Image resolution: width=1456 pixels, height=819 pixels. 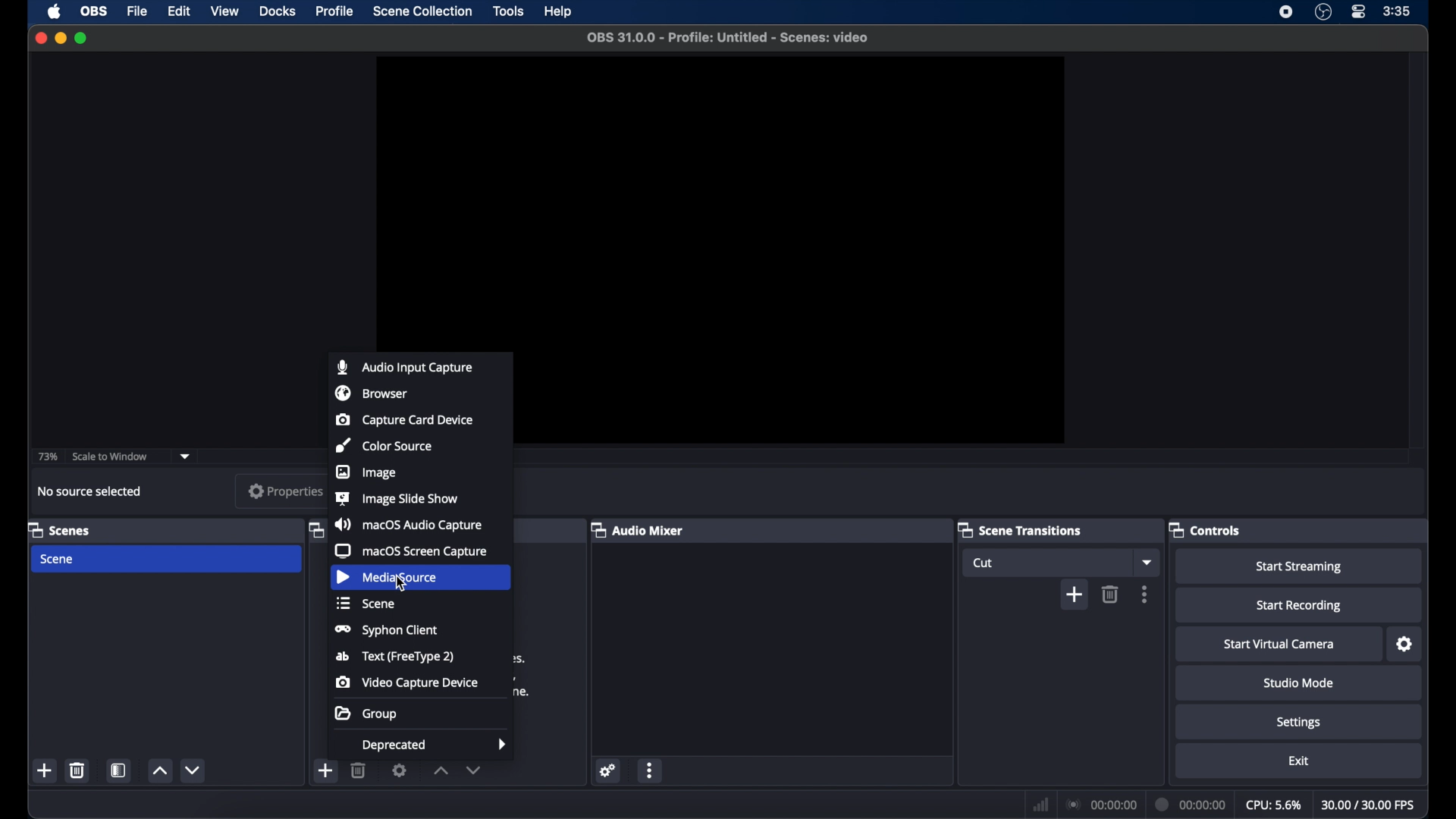 What do you see at coordinates (608, 770) in the screenshot?
I see `settings` at bounding box center [608, 770].